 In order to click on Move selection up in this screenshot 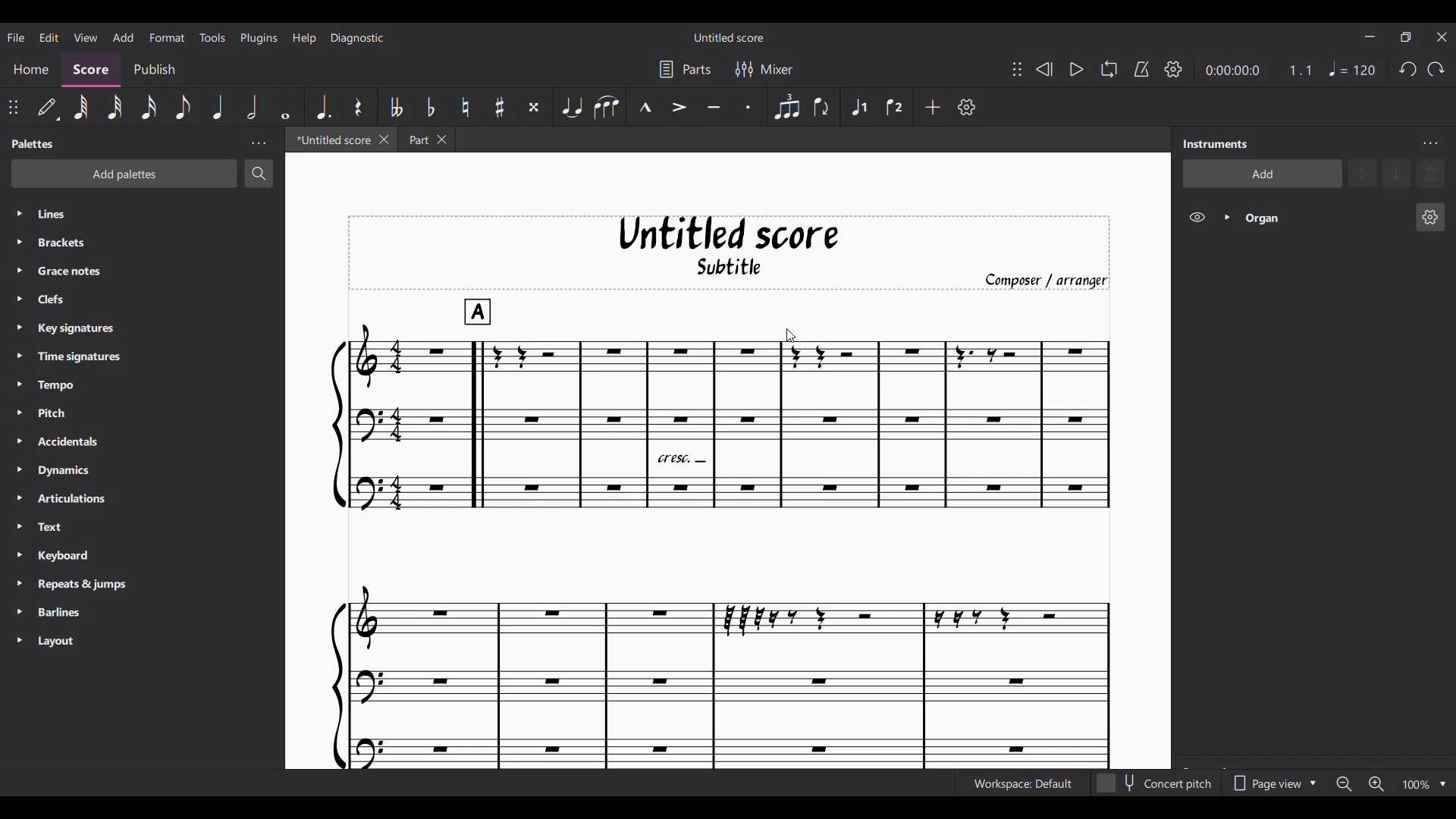, I will do `click(1363, 173)`.